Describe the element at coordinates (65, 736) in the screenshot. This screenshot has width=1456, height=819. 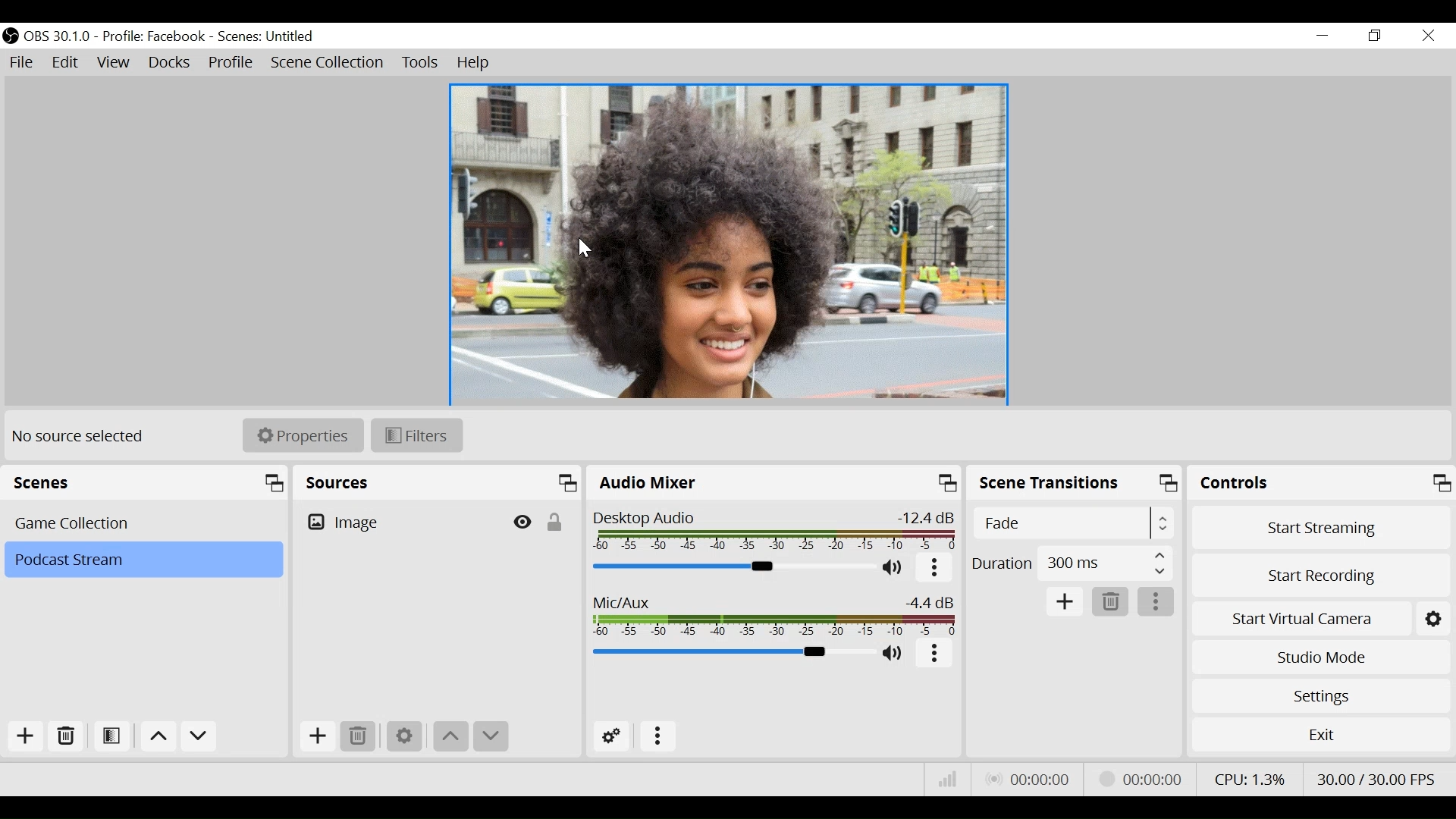
I see `Delete` at that location.